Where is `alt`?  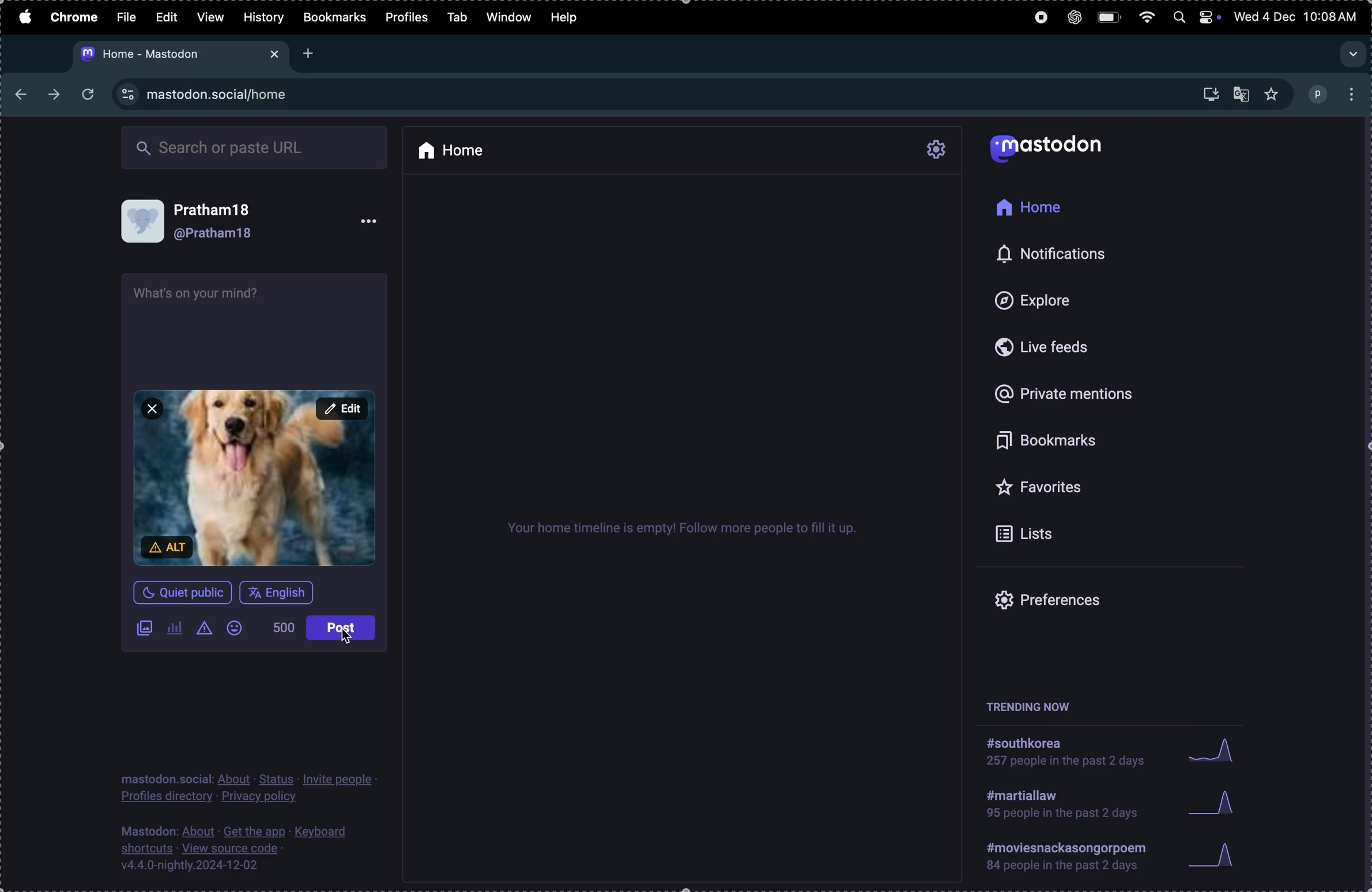
alt is located at coordinates (169, 547).